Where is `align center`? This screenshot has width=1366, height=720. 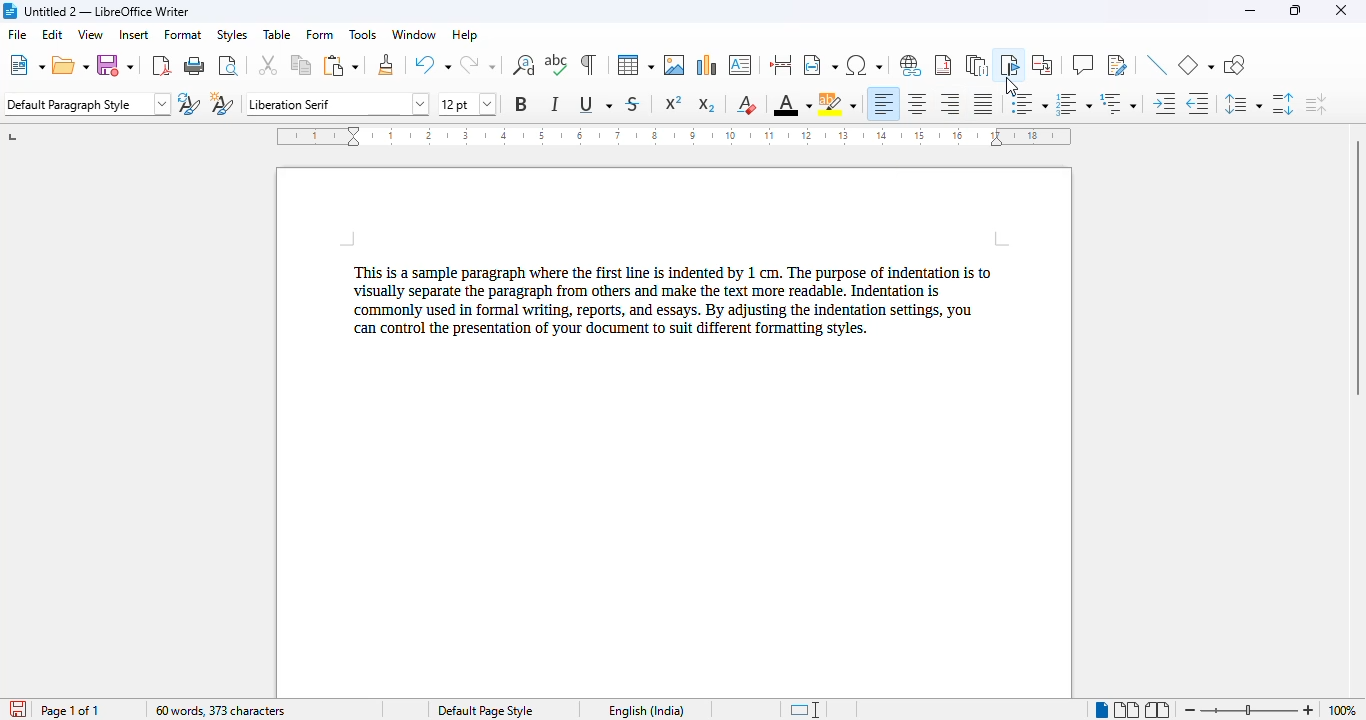
align center is located at coordinates (917, 104).